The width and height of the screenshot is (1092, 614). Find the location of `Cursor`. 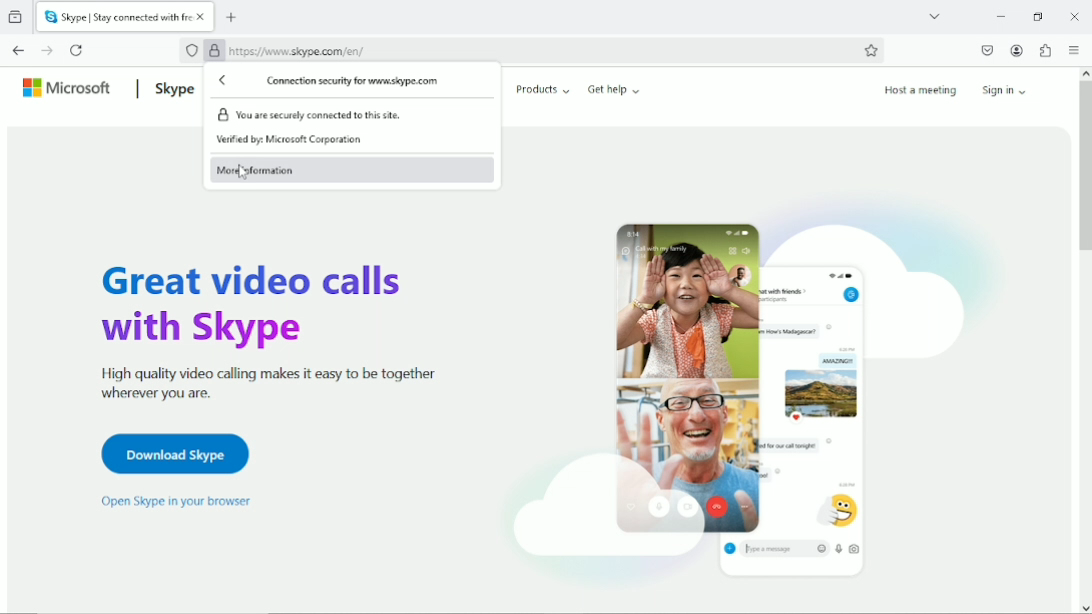

Cursor is located at coordinates (242, 174).